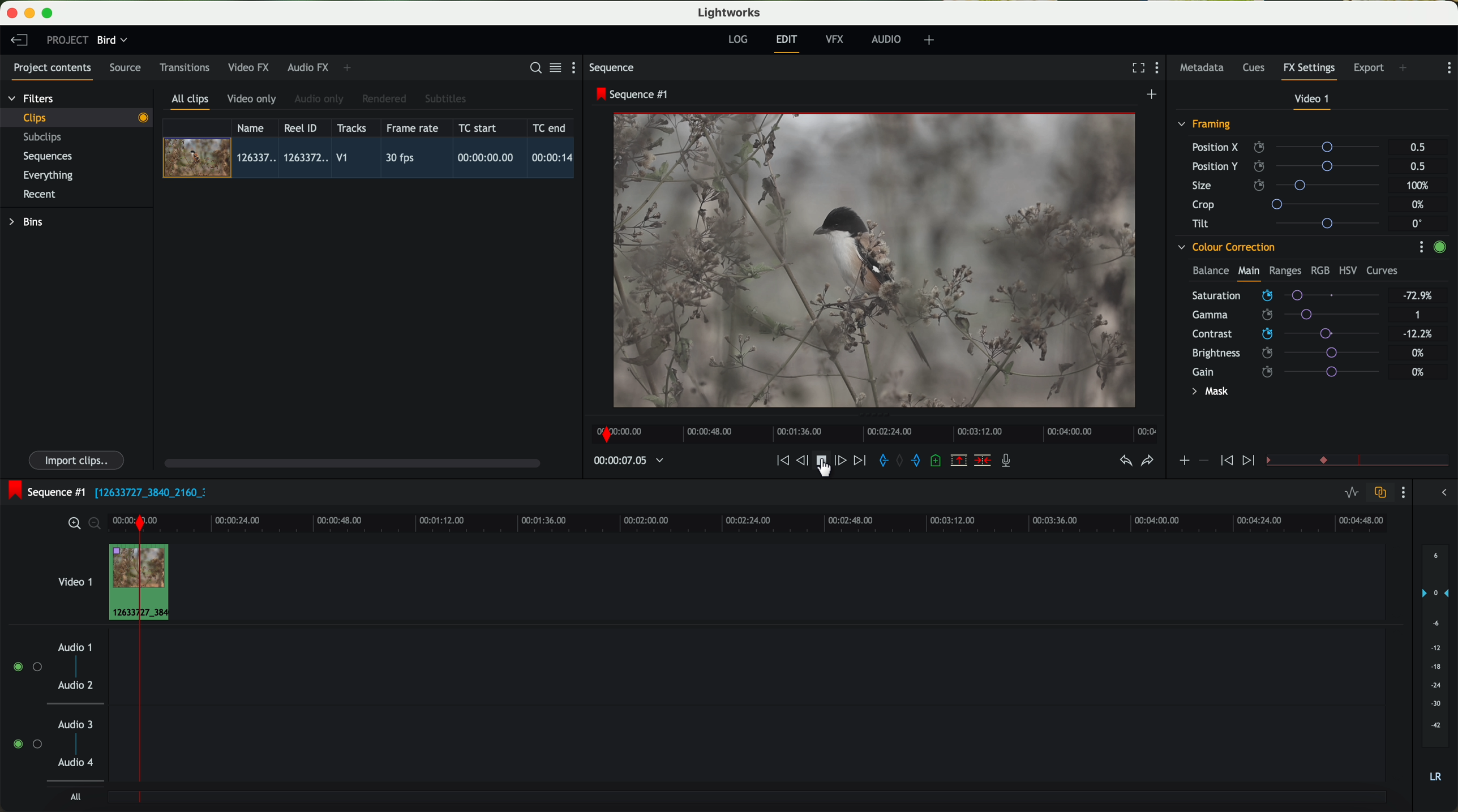  I want to click on add panel, so click(350, 68).